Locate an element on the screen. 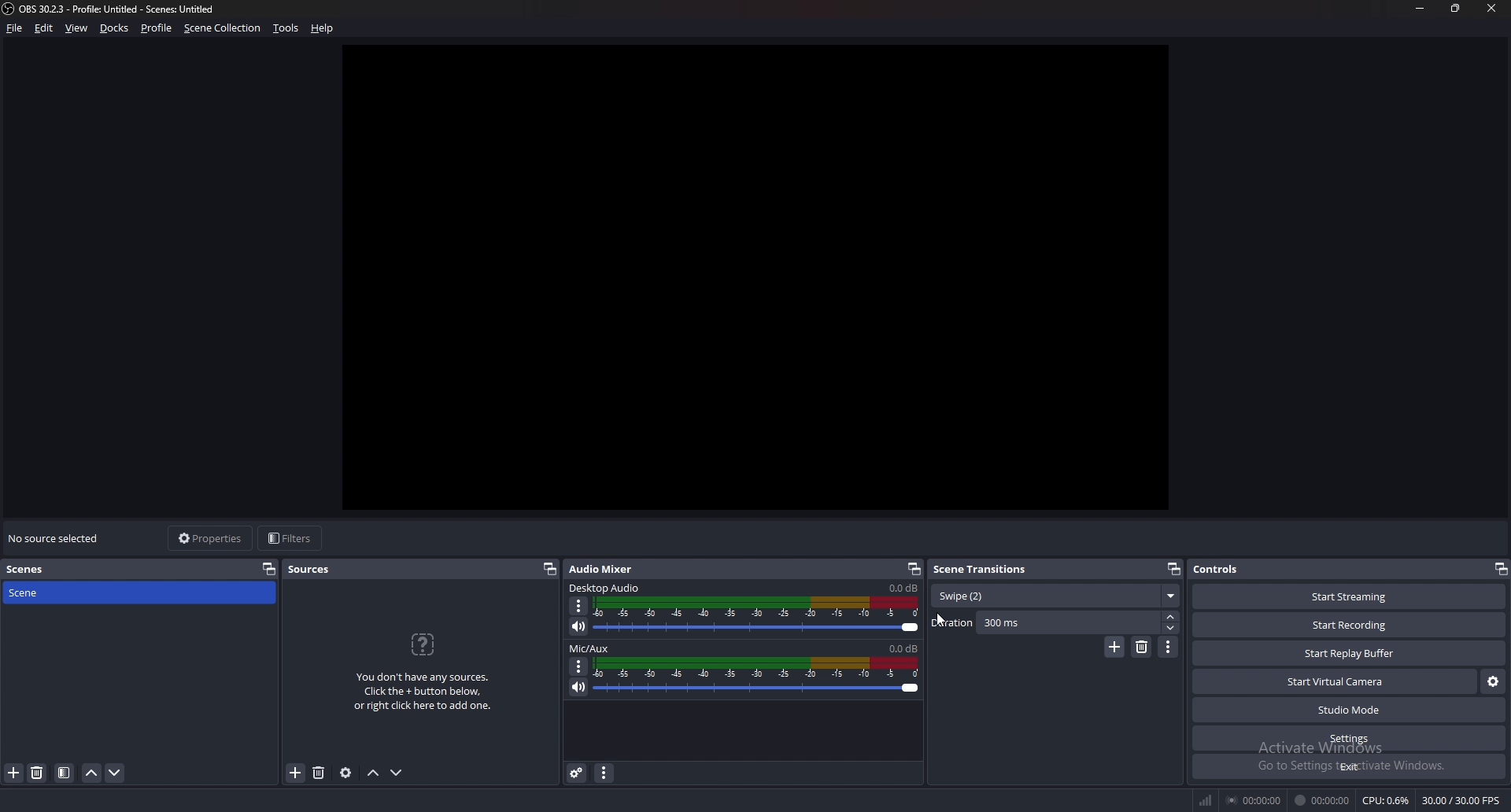 This screenshot has width=1511, height=812. add scene is located at coordinates (13, 773).